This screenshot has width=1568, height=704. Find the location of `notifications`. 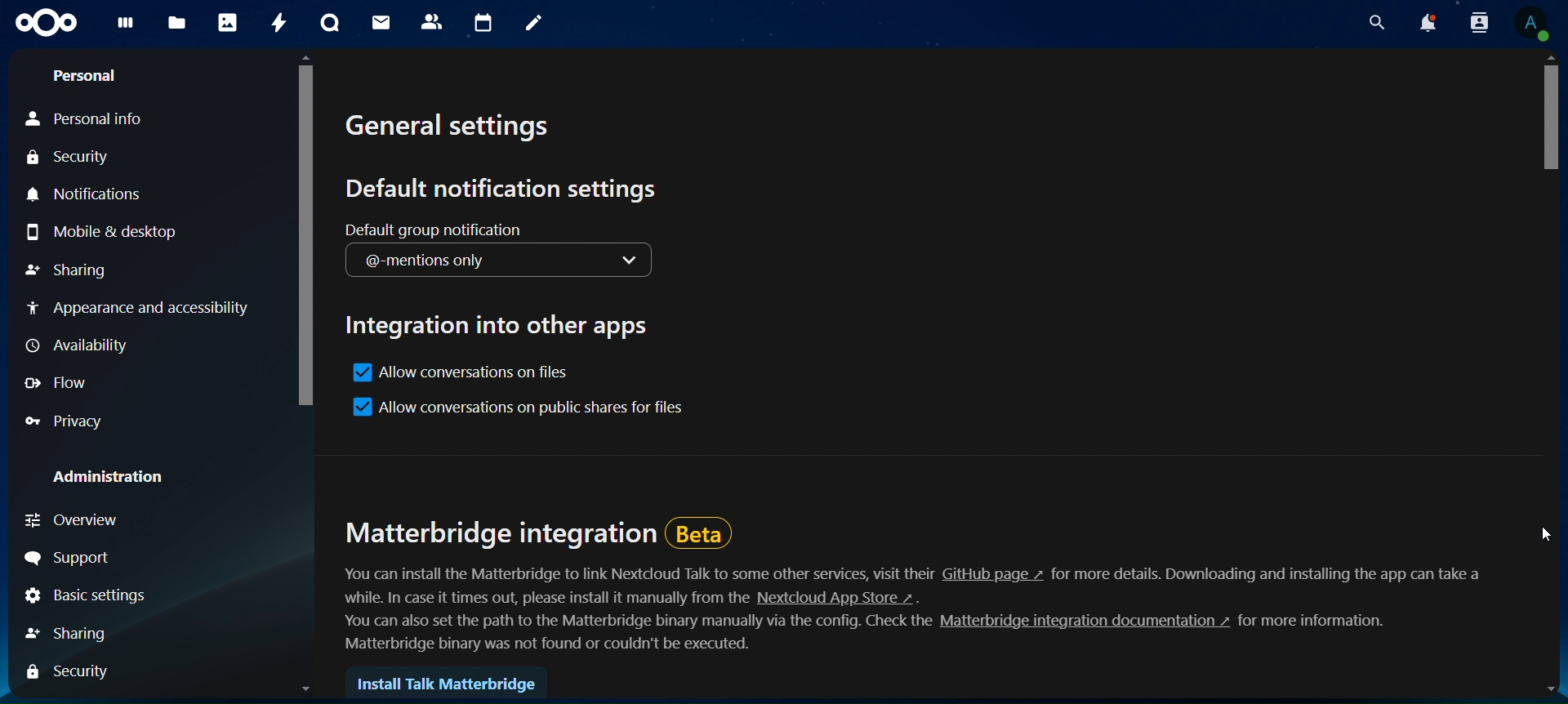

notifications is located at coordinates (1426, 23).